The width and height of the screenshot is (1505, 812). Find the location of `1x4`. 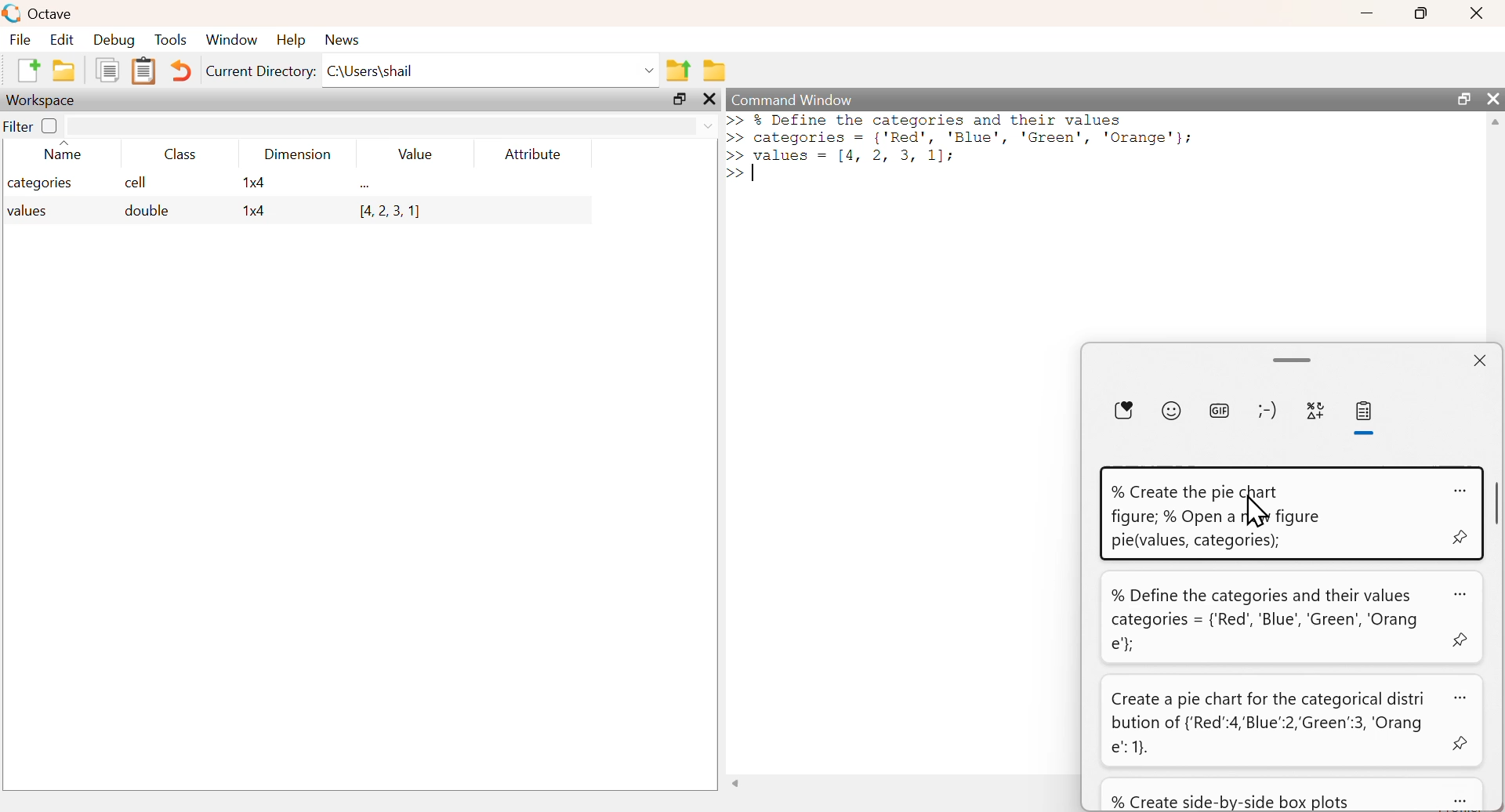

1x4 is located at coordinates (254, 183).